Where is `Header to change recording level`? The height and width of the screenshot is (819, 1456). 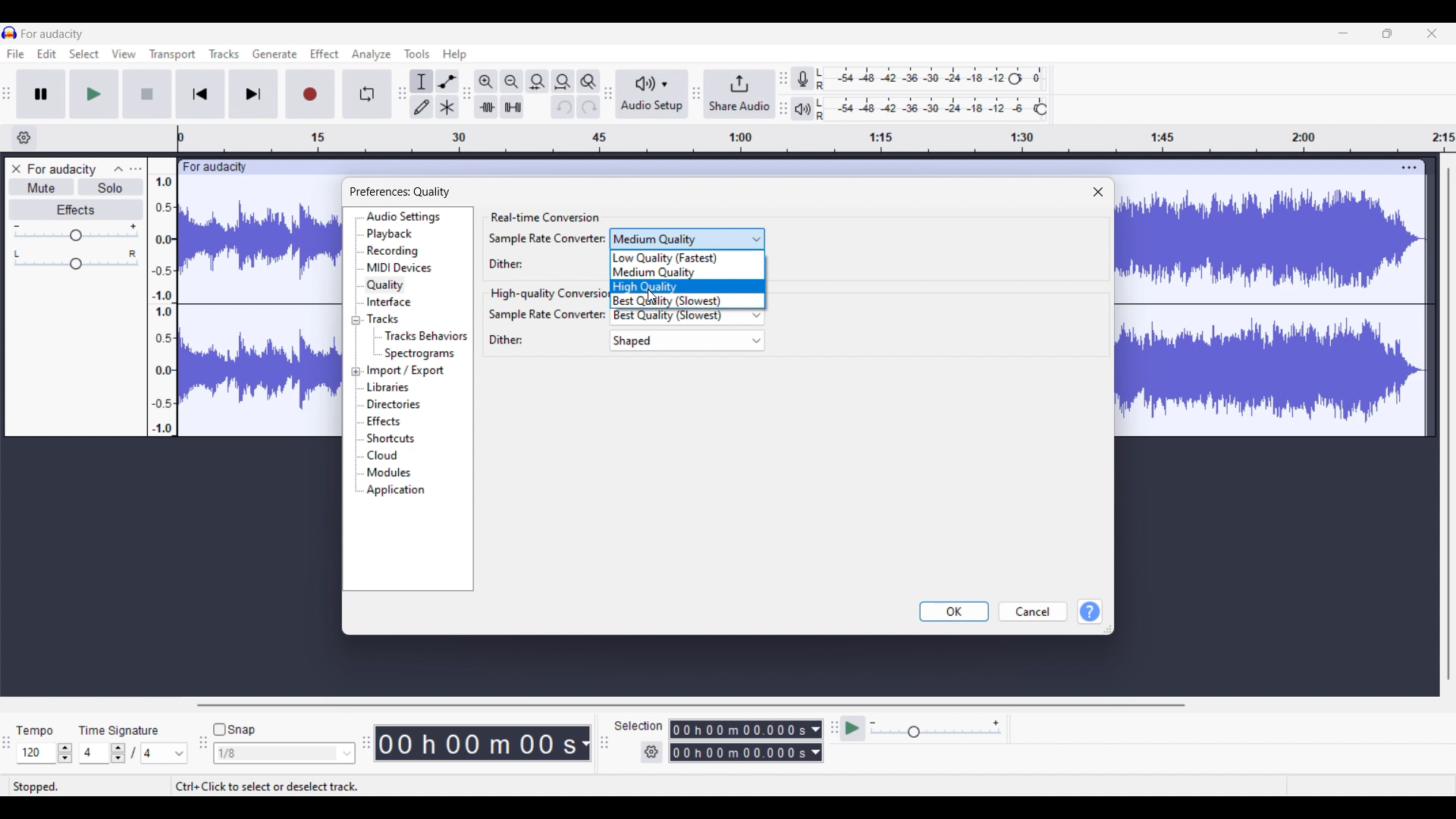
Header to change recording level is located at coordinates (1015, 79).